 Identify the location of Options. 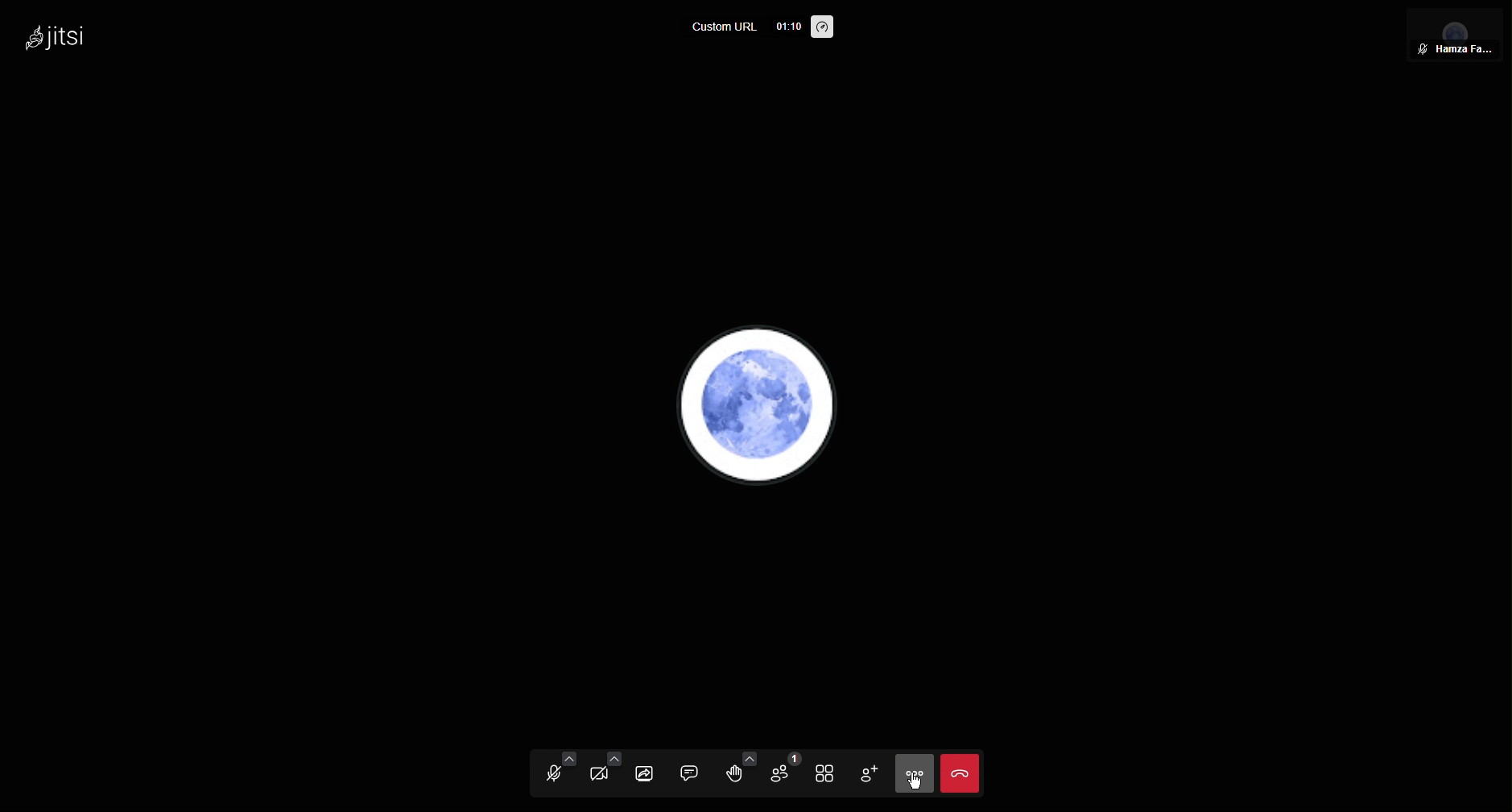
(911, 774).